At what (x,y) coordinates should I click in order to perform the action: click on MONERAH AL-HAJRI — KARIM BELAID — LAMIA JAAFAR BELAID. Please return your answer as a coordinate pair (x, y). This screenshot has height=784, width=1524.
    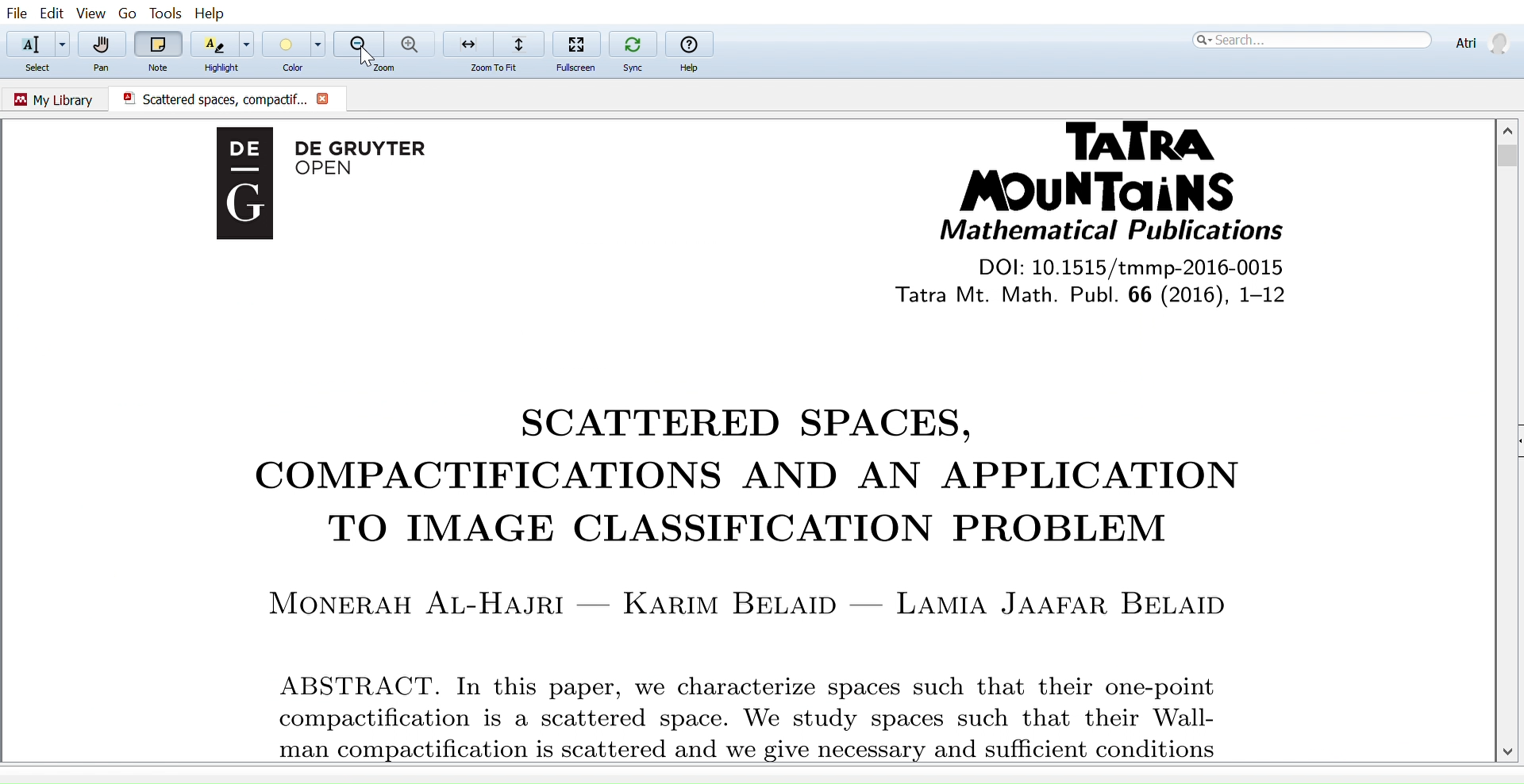
    Looking at the image, I should click on (746, 602).